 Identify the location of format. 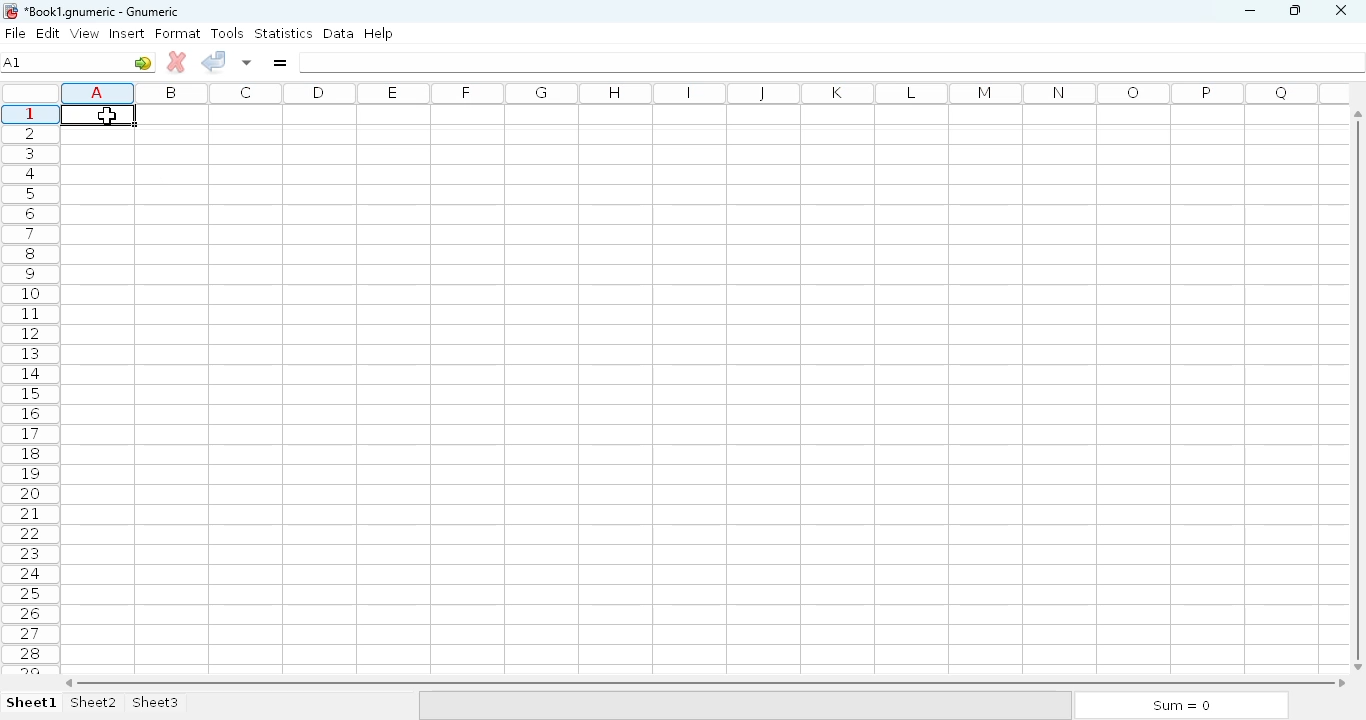
(178, 33).